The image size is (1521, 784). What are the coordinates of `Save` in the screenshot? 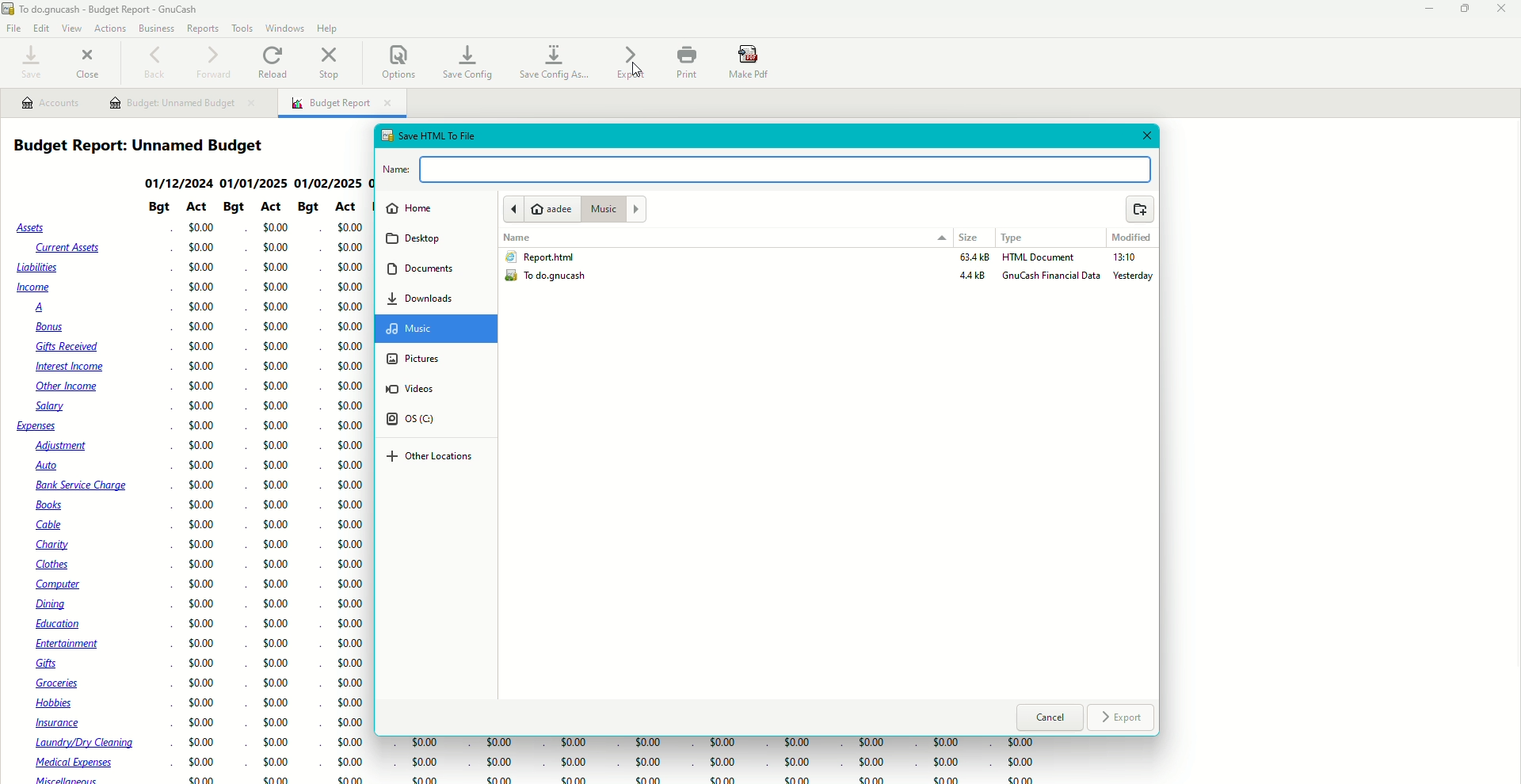 It's located at (29, 63).